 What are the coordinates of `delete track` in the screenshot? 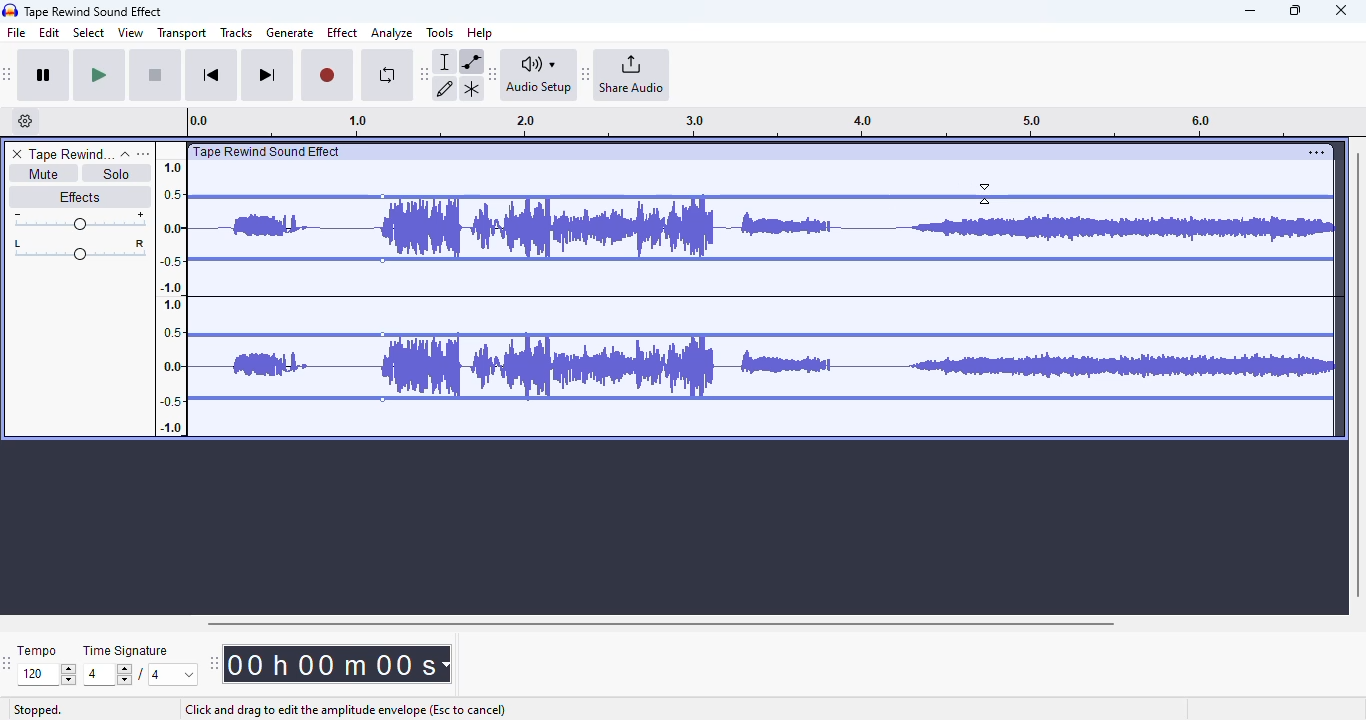 It's located at (17, 154).